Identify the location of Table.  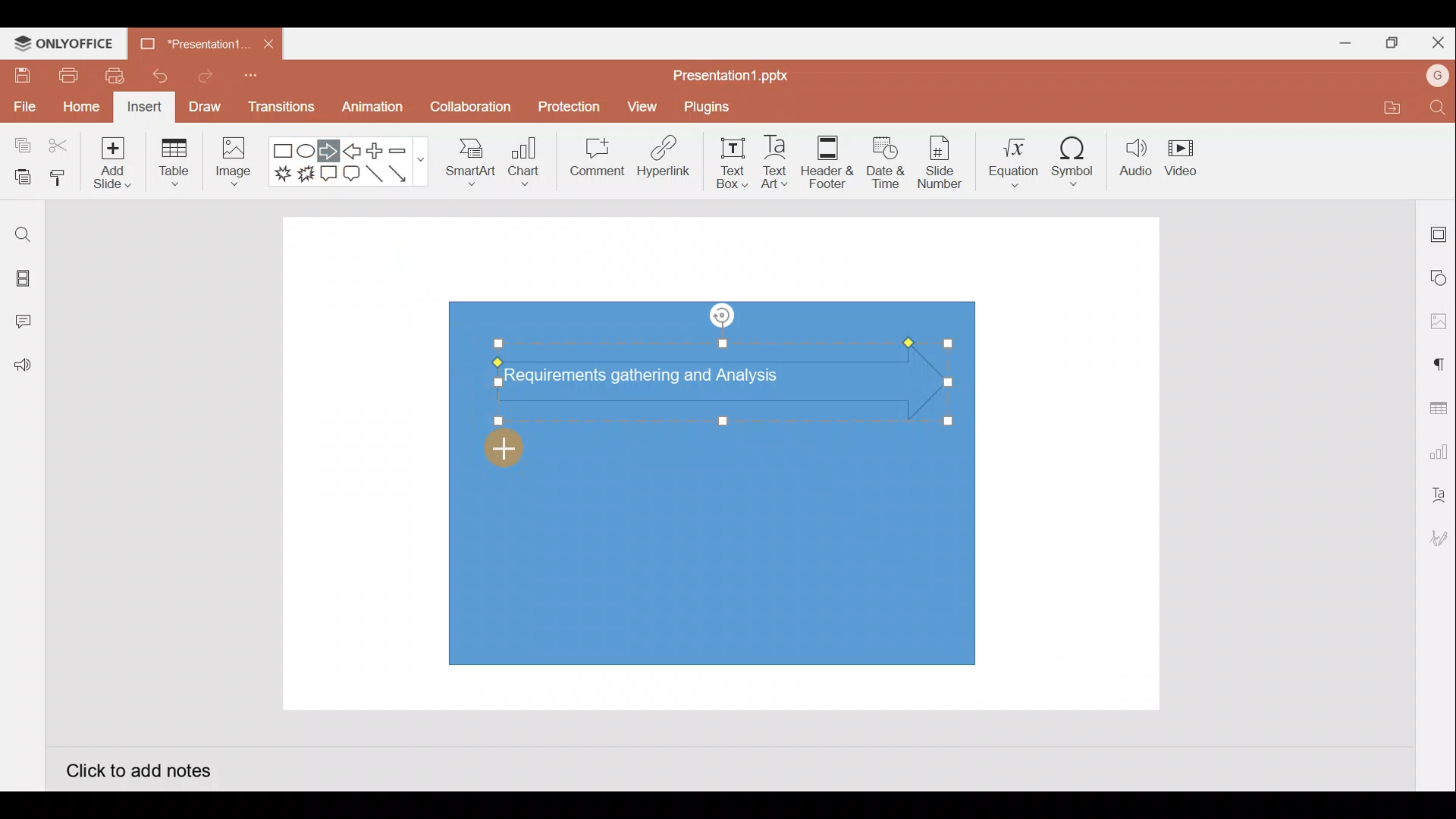
(176, 164).